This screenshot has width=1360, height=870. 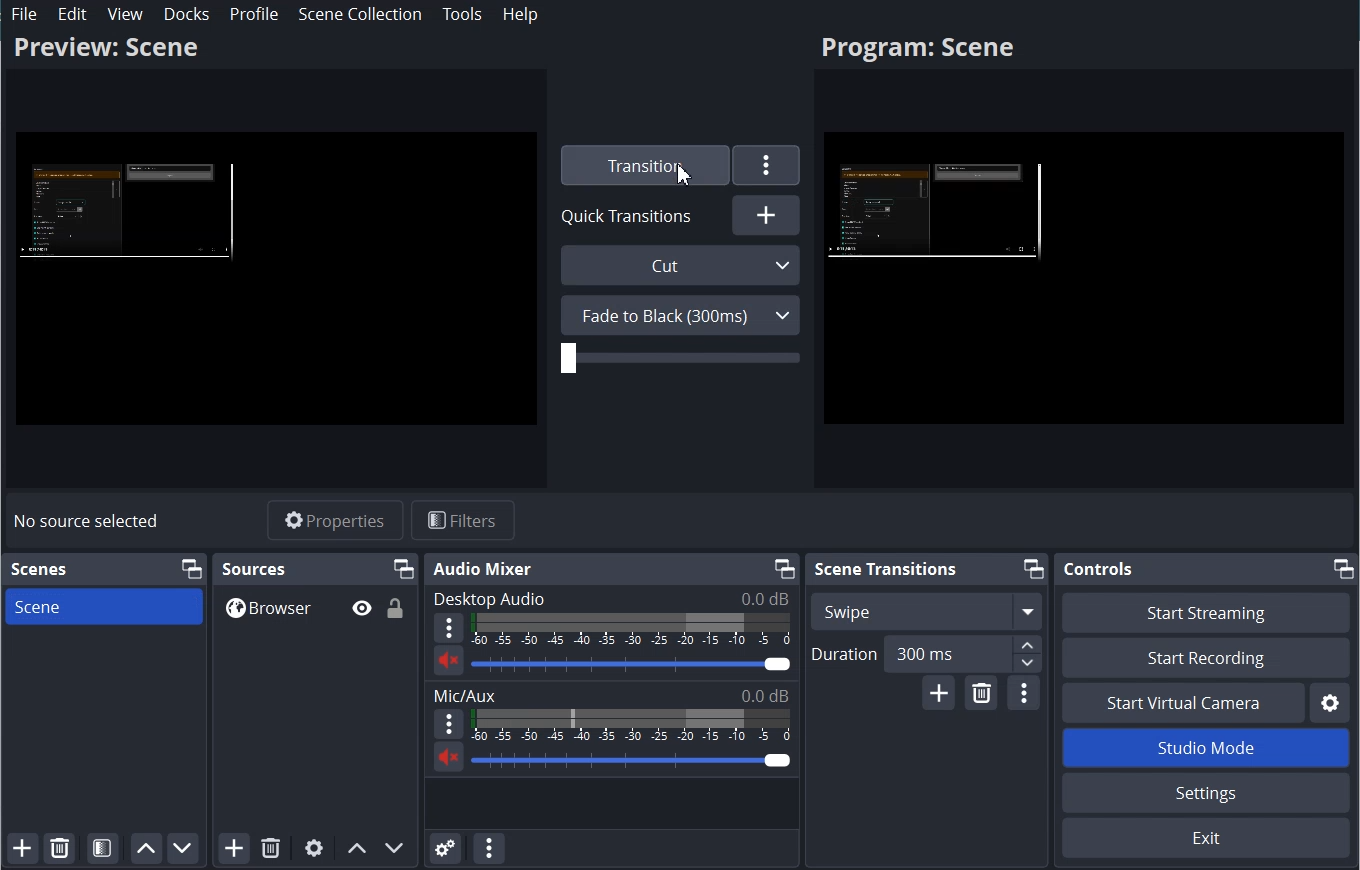 I want to click on Move Source Up, so click(x=356, y=848).